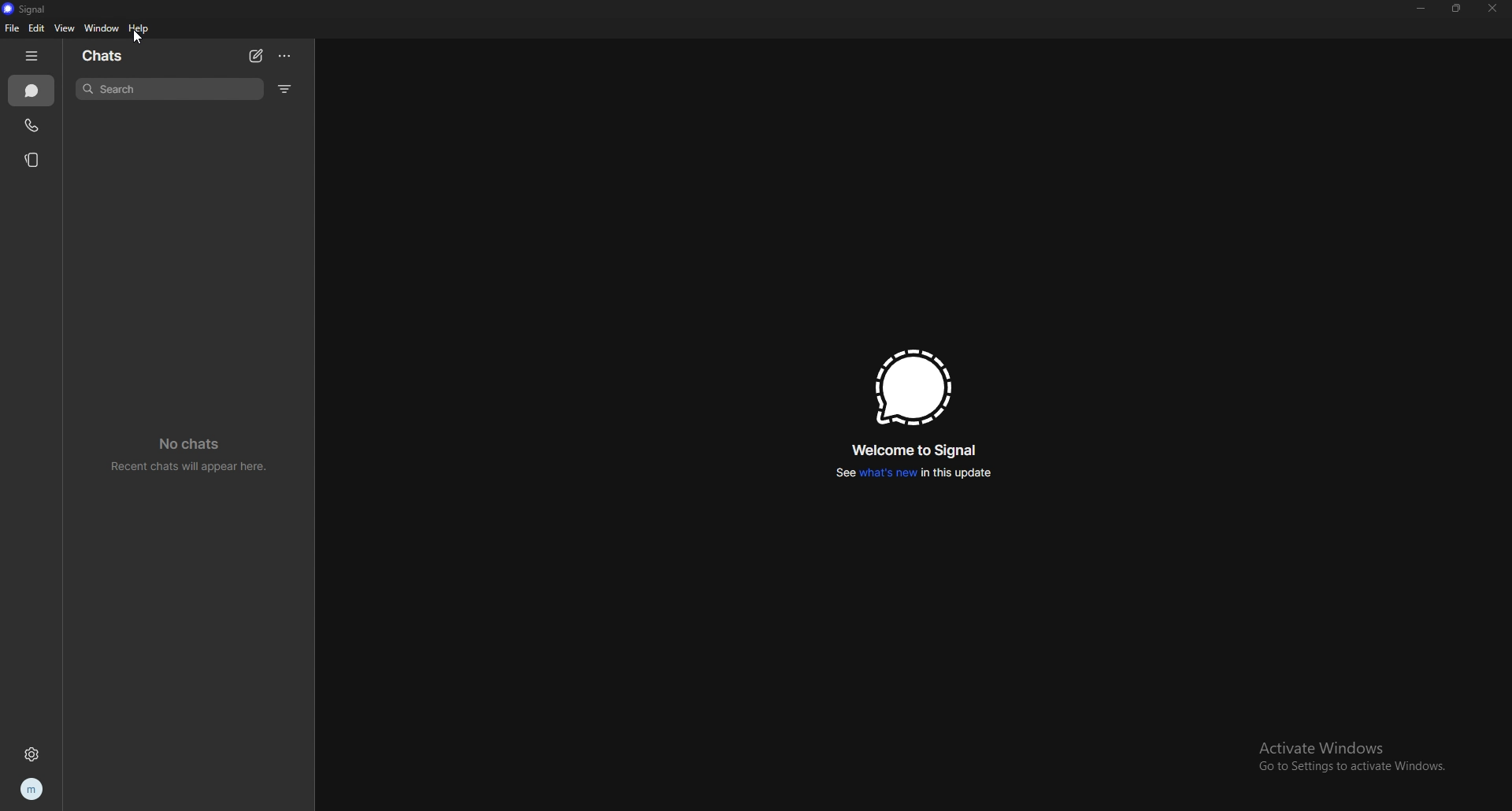  What do you see at coordinates (138, 37) in the screenshot?
I see `cursor` at bounding box center [138, 37].